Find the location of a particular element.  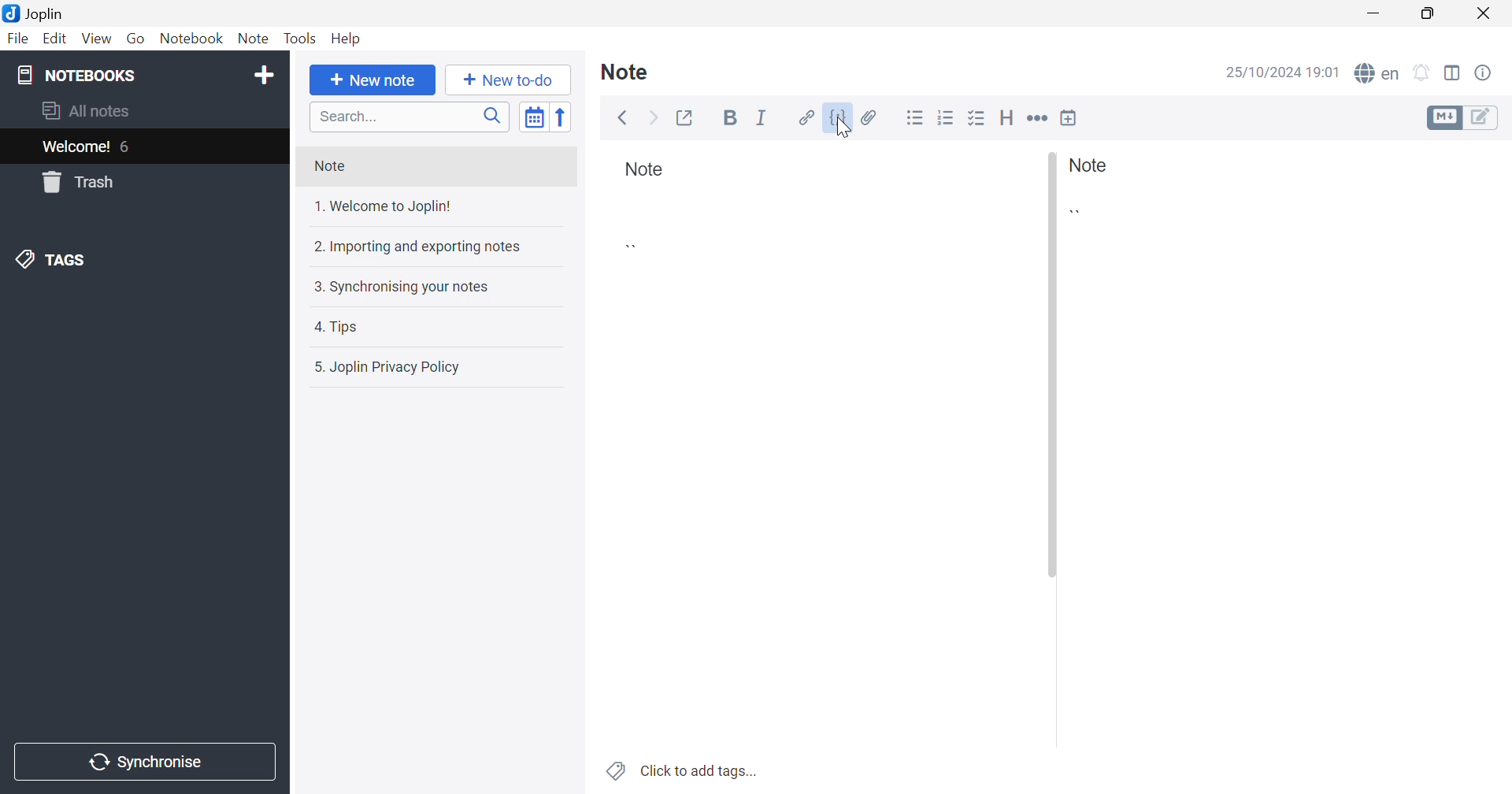

trash is located at coordinates (78, 184).